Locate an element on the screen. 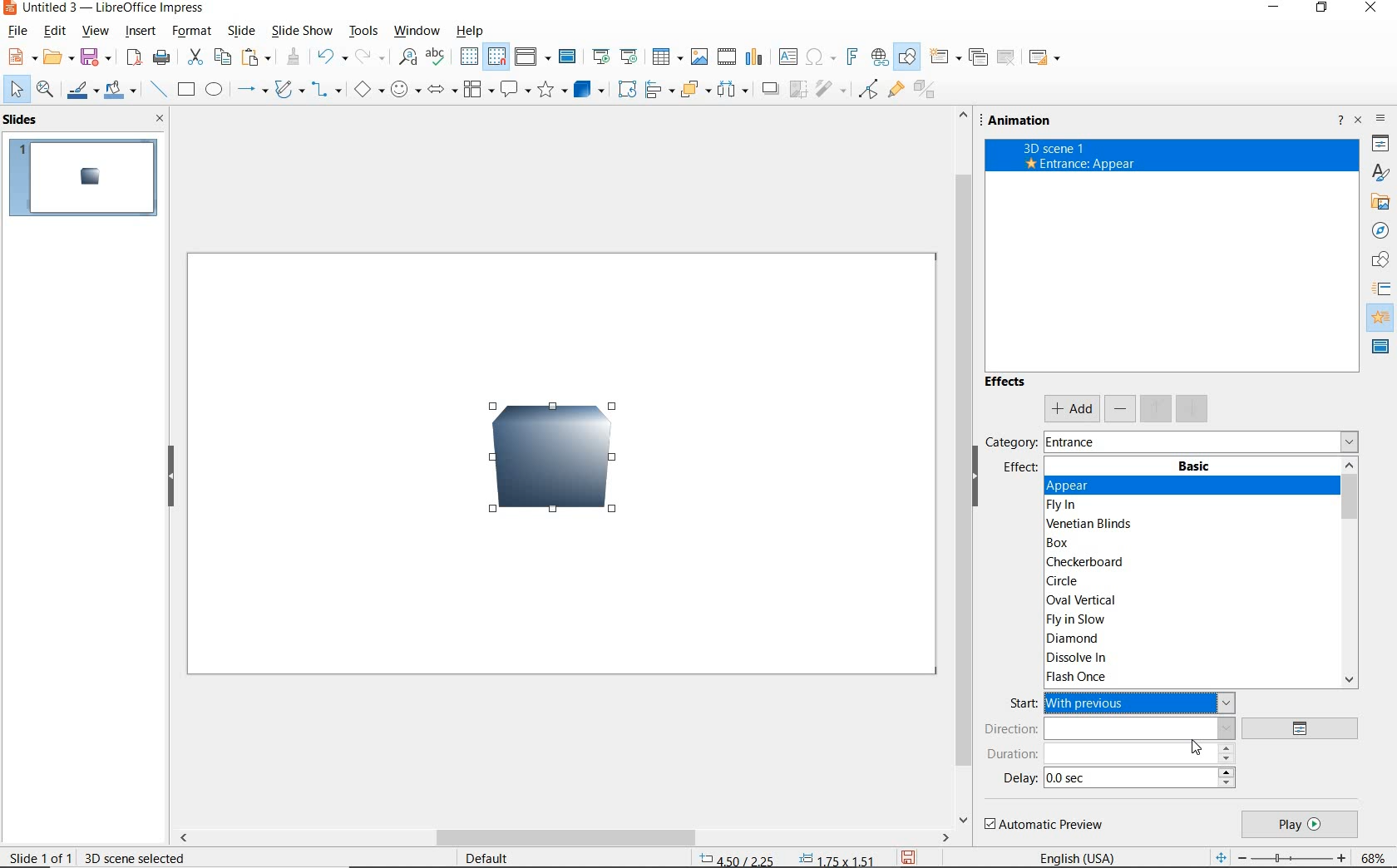 This screenshot has width=1397, height=868. slide 1 of 1 is located at coordinates (41, 856).